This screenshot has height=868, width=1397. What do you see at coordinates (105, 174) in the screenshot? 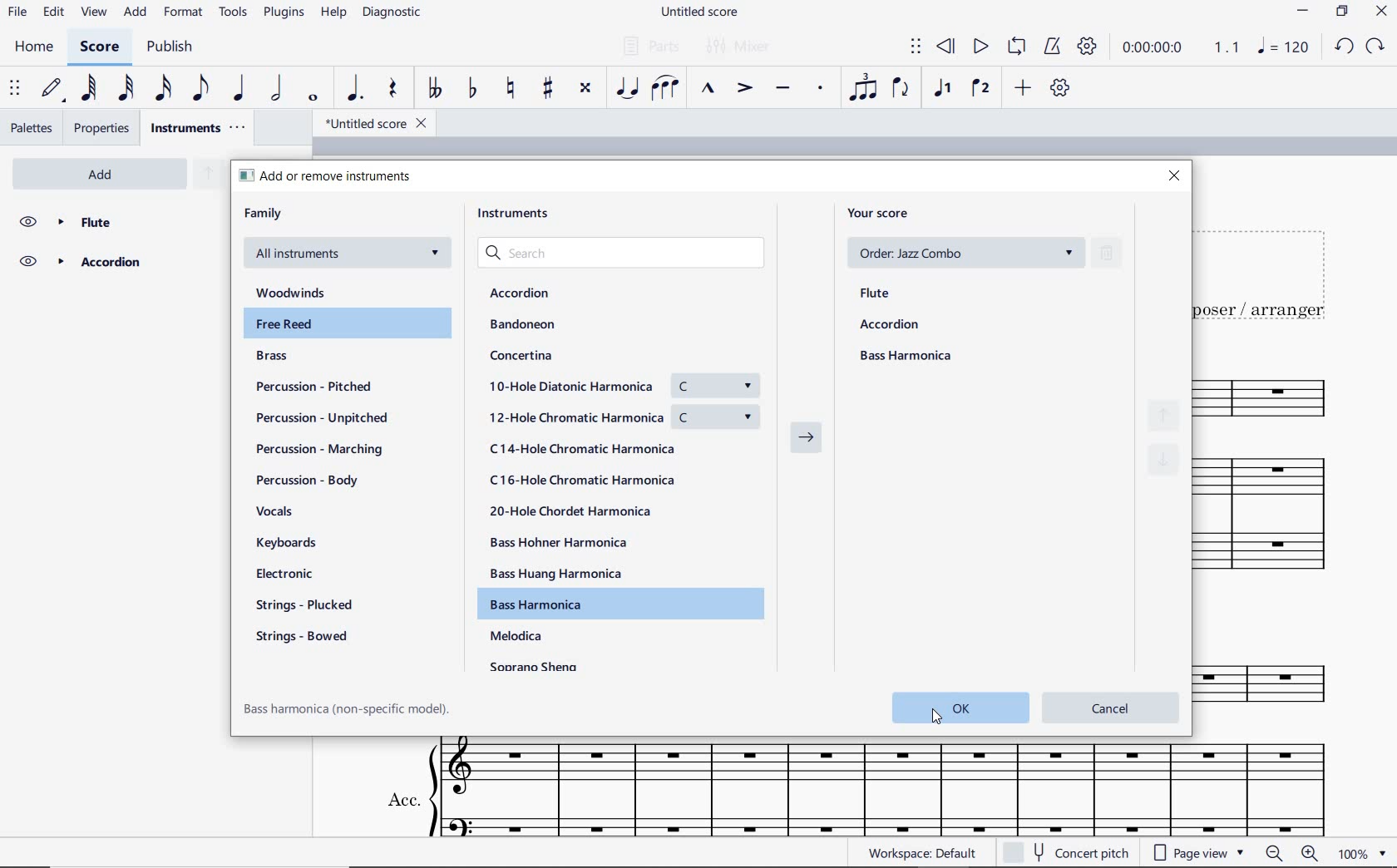
I see `add` at bounding box center [105, 174].